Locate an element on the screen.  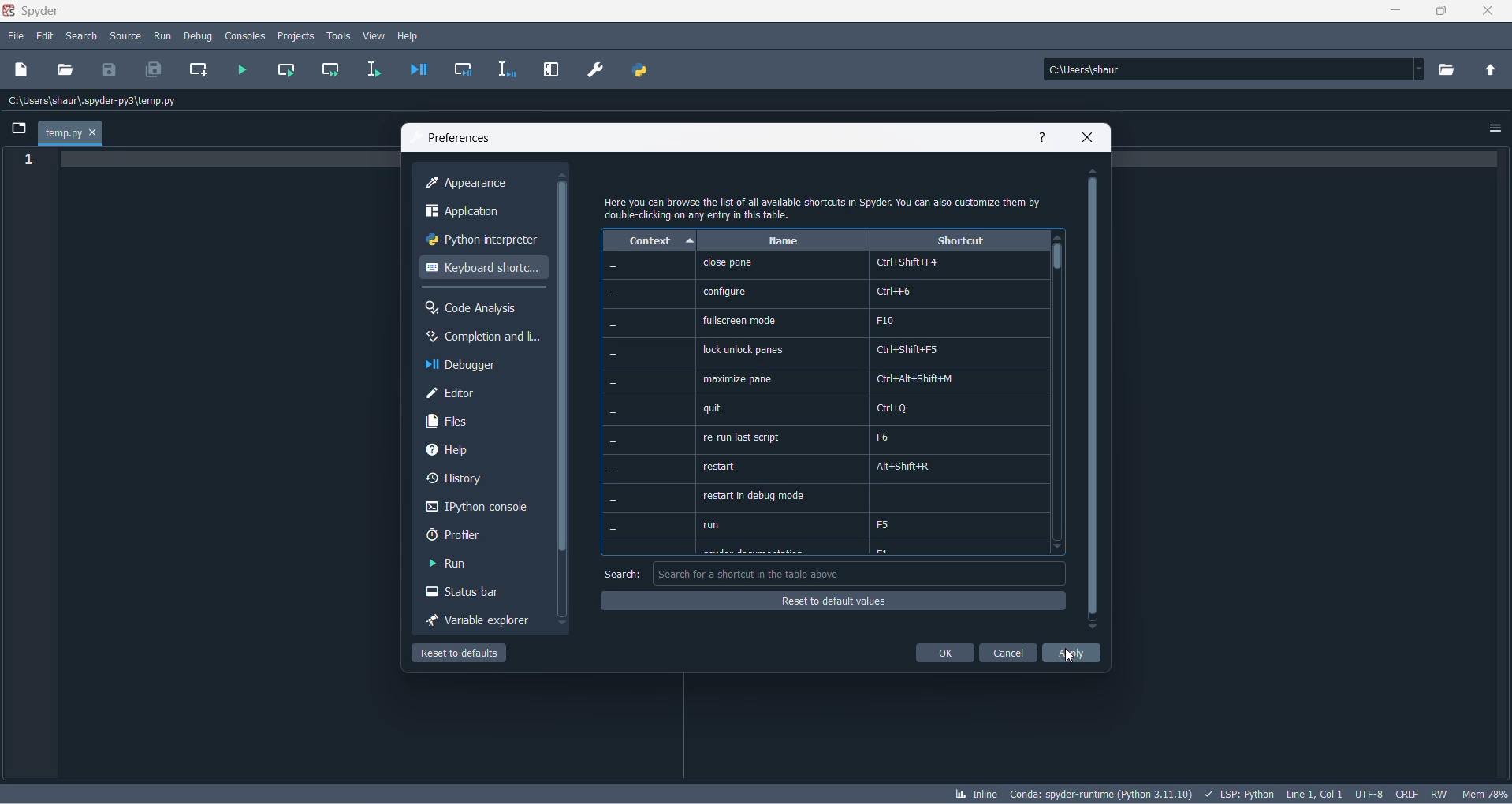
move up is located at coordinates (1094, 172).